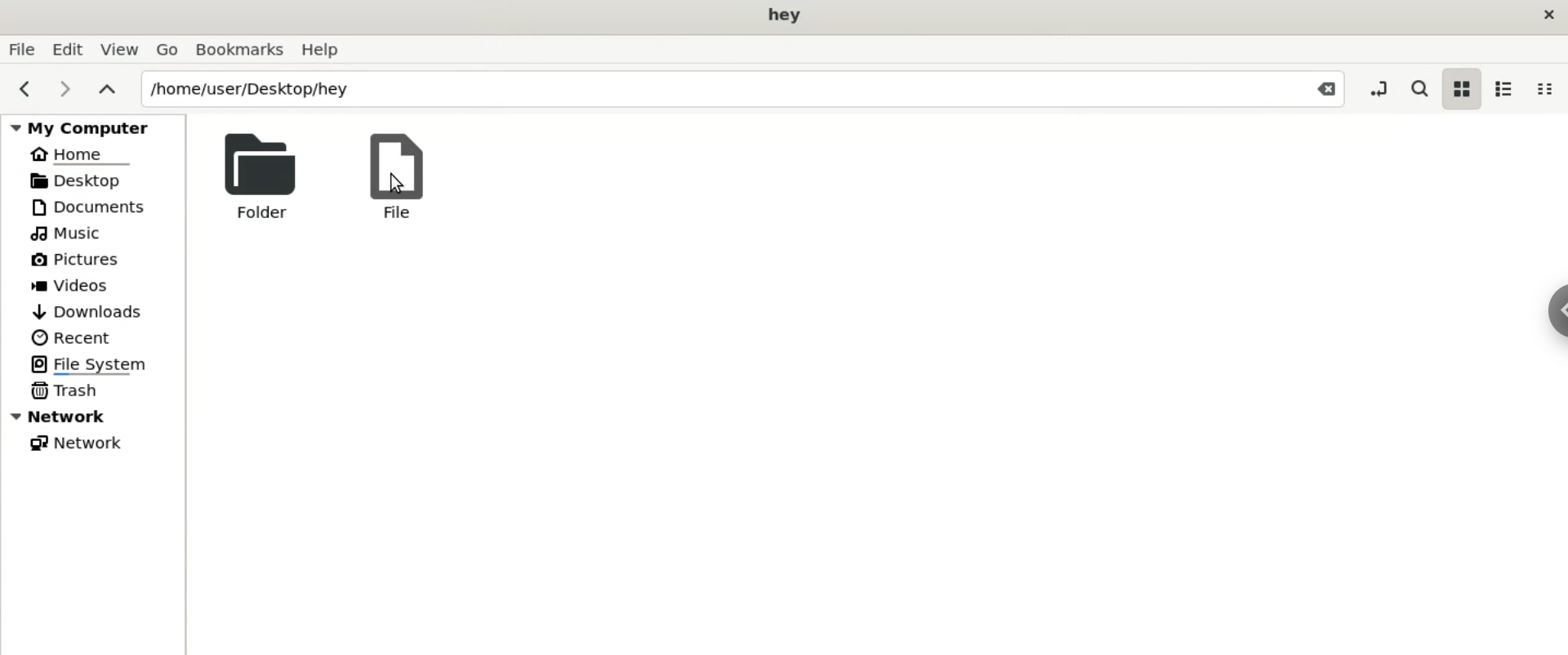 This screenshot has height=655, width=1568. Describe the element at coordinates (69, 233) in the screenshot. I see `music` at that location.